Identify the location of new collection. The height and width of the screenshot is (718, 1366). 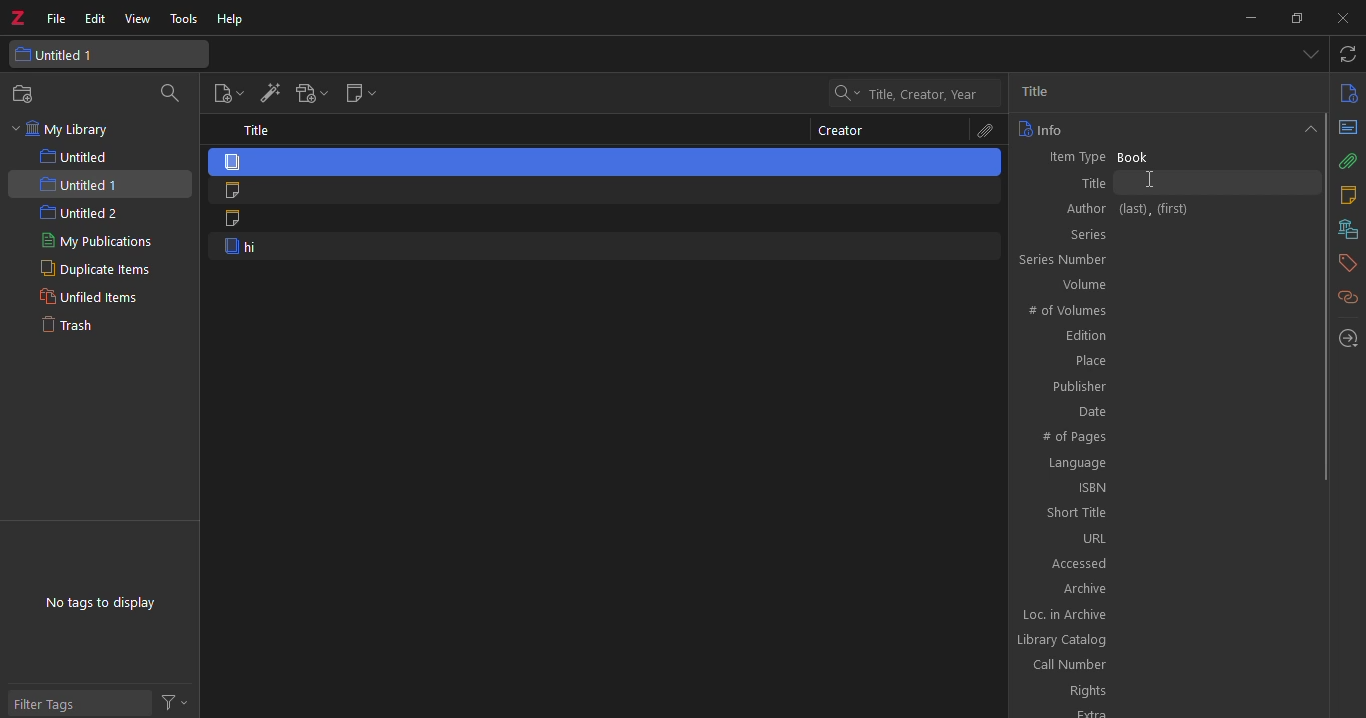
(28, 94).